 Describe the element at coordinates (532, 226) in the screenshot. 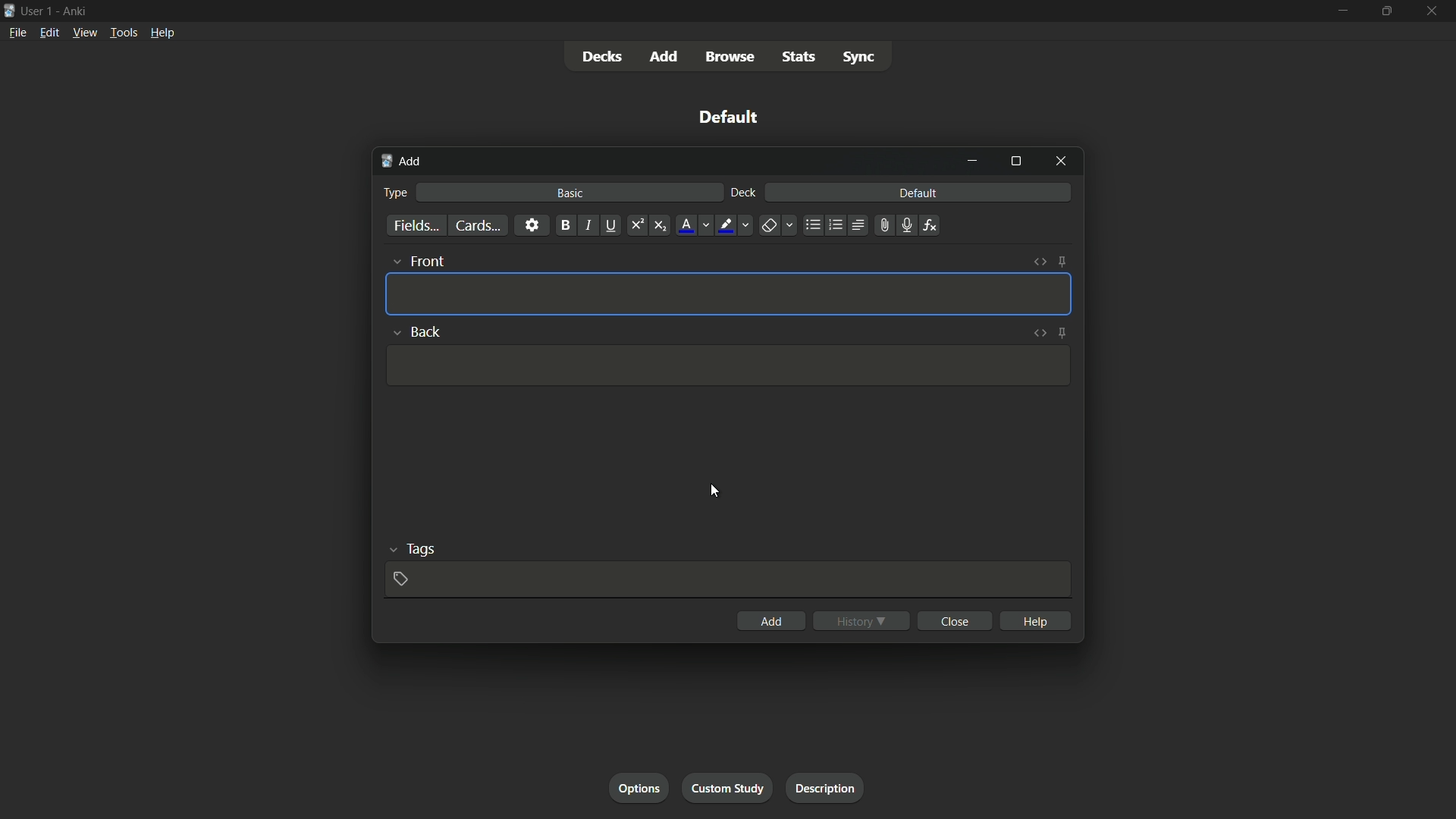

I see `settings` at that location.